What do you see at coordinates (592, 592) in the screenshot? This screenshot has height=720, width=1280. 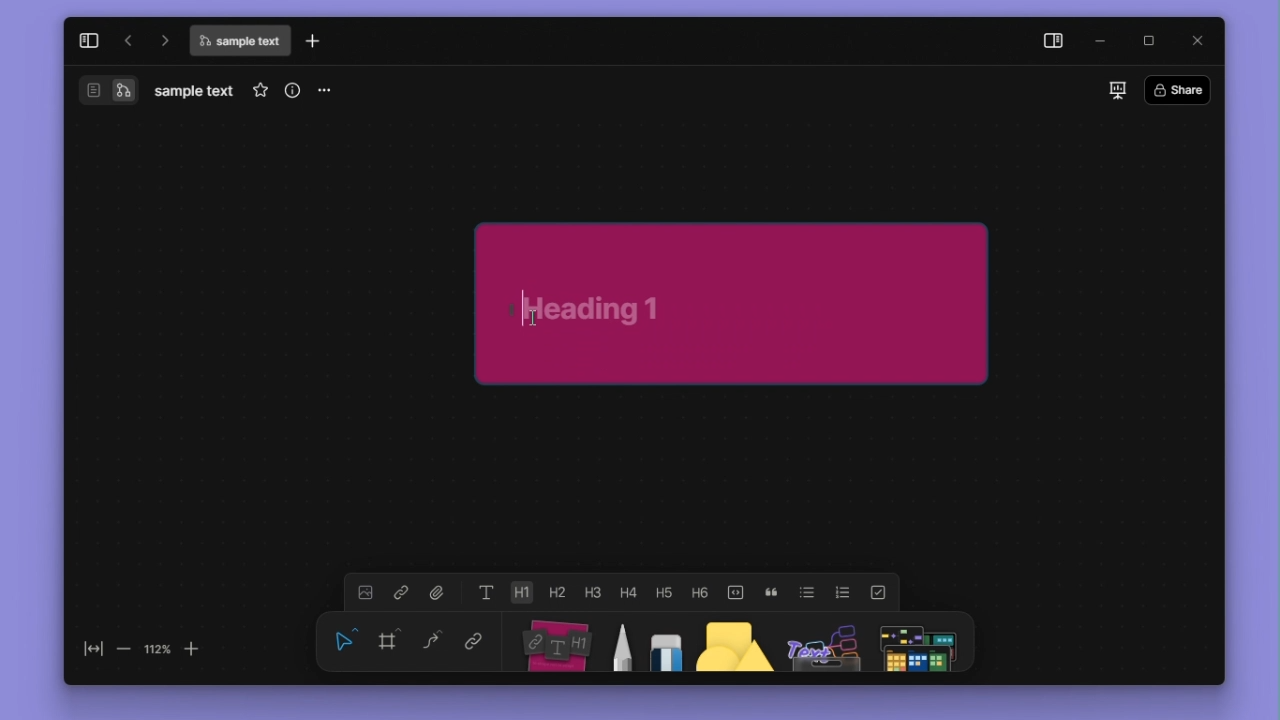 I see `Heading 3` at bounding box center [592, 592].